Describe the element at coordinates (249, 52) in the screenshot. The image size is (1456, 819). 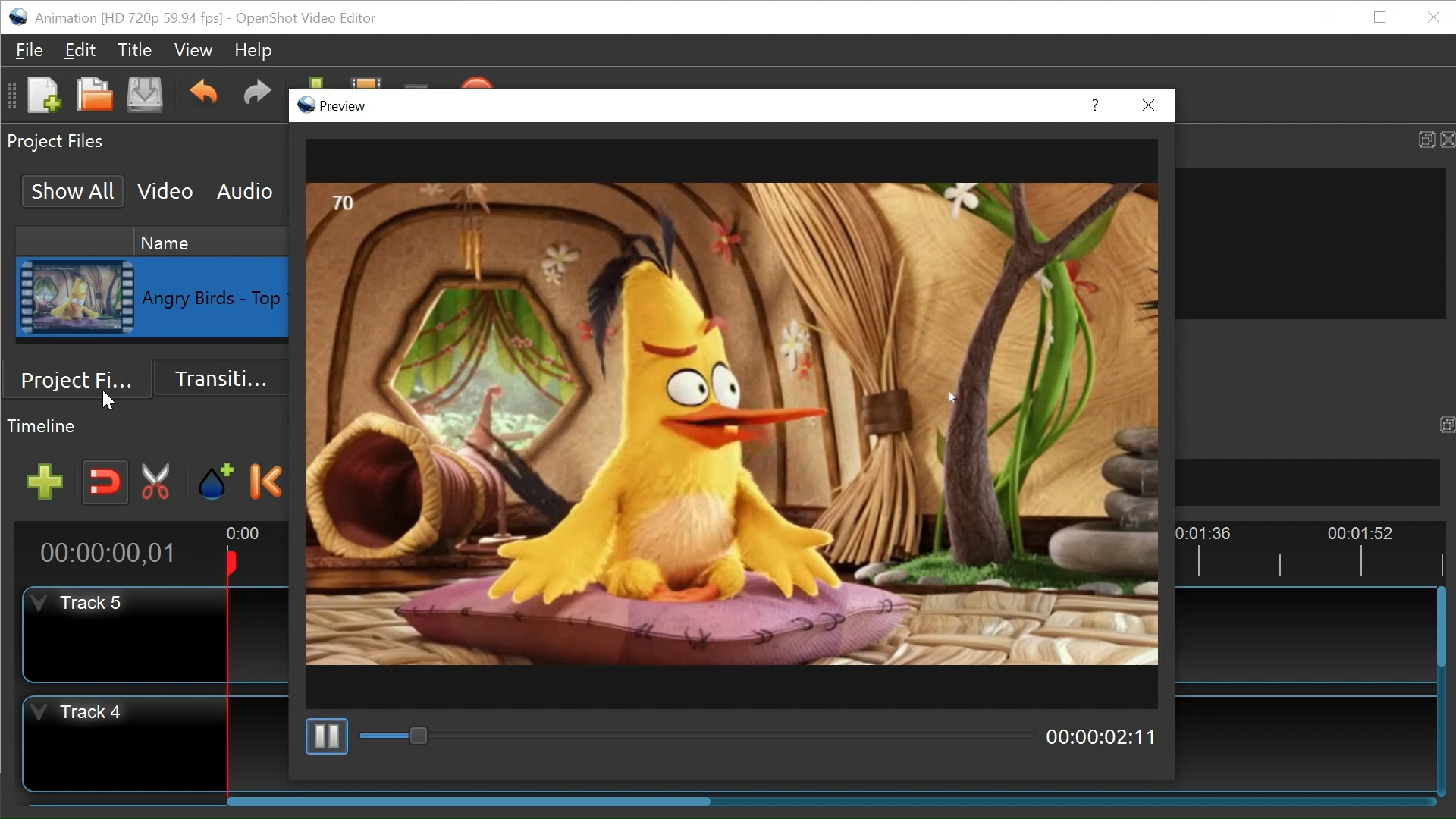
I see `Help` at that location.